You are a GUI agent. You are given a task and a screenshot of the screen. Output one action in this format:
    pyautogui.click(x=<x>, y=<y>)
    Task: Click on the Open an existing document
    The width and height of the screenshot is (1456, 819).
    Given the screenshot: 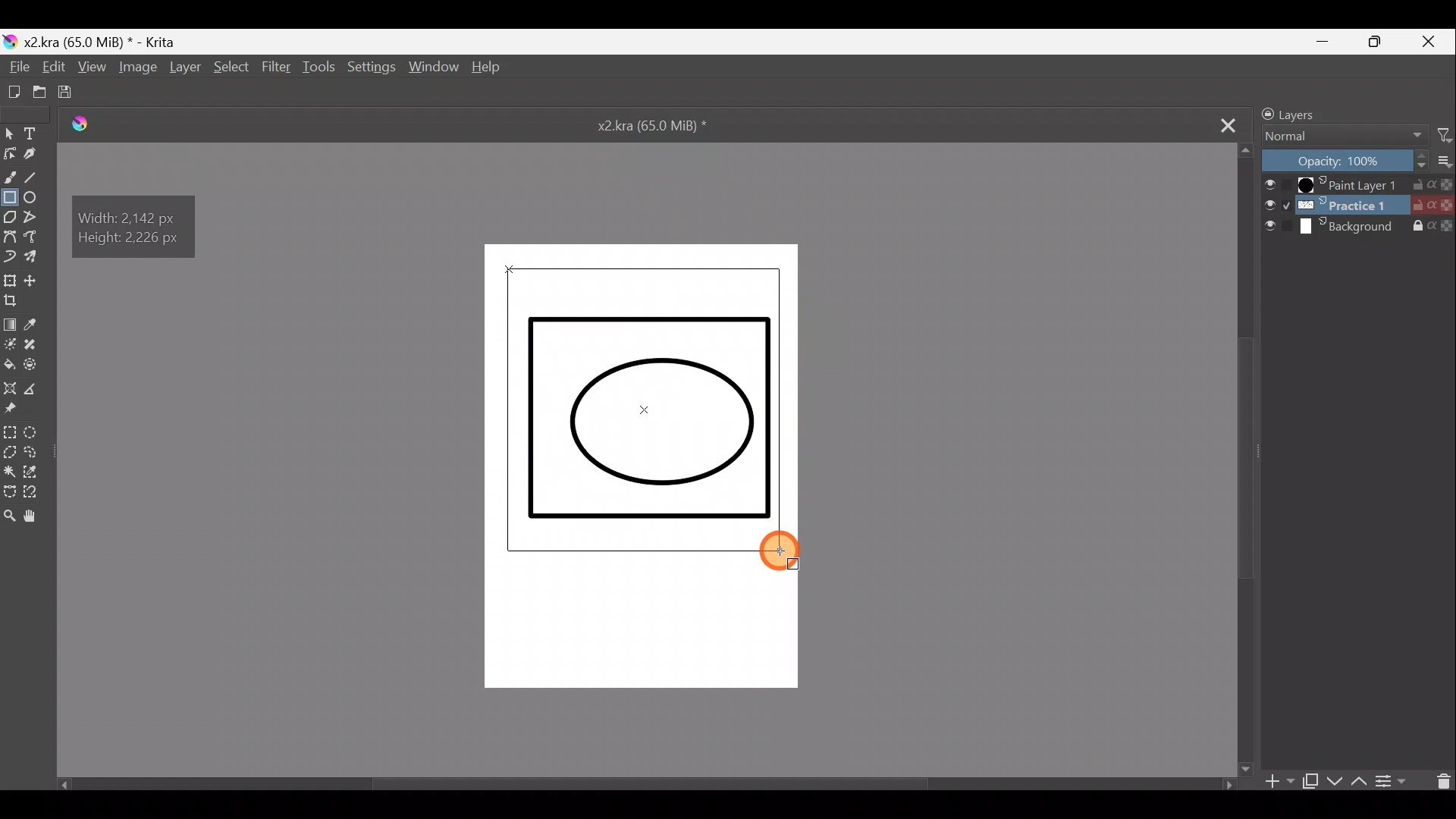 What is the action you would take?
    pyautogui.click(x=38, y=93)
    